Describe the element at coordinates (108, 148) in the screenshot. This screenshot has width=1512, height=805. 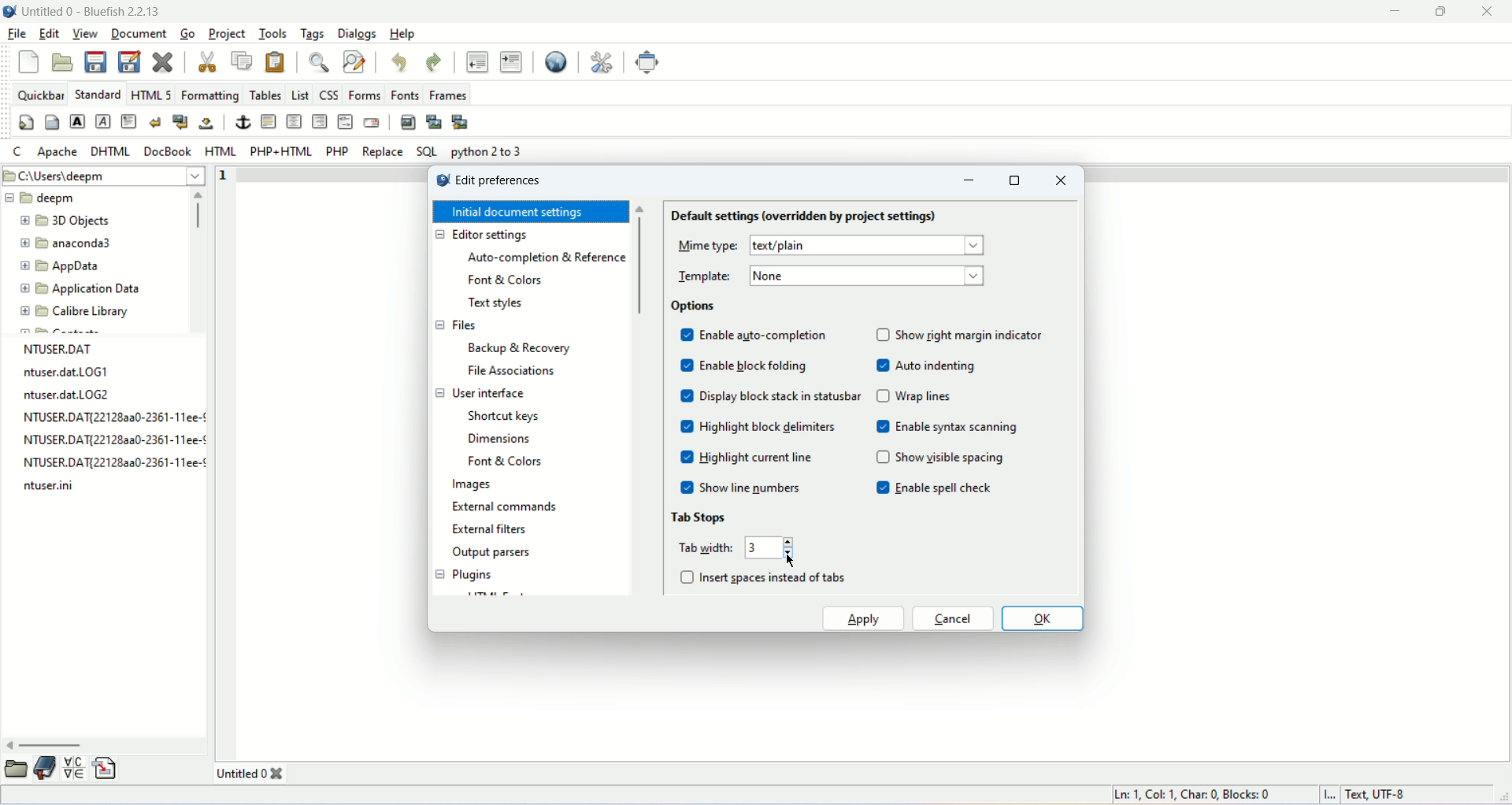
I see `DHTML` at that location.